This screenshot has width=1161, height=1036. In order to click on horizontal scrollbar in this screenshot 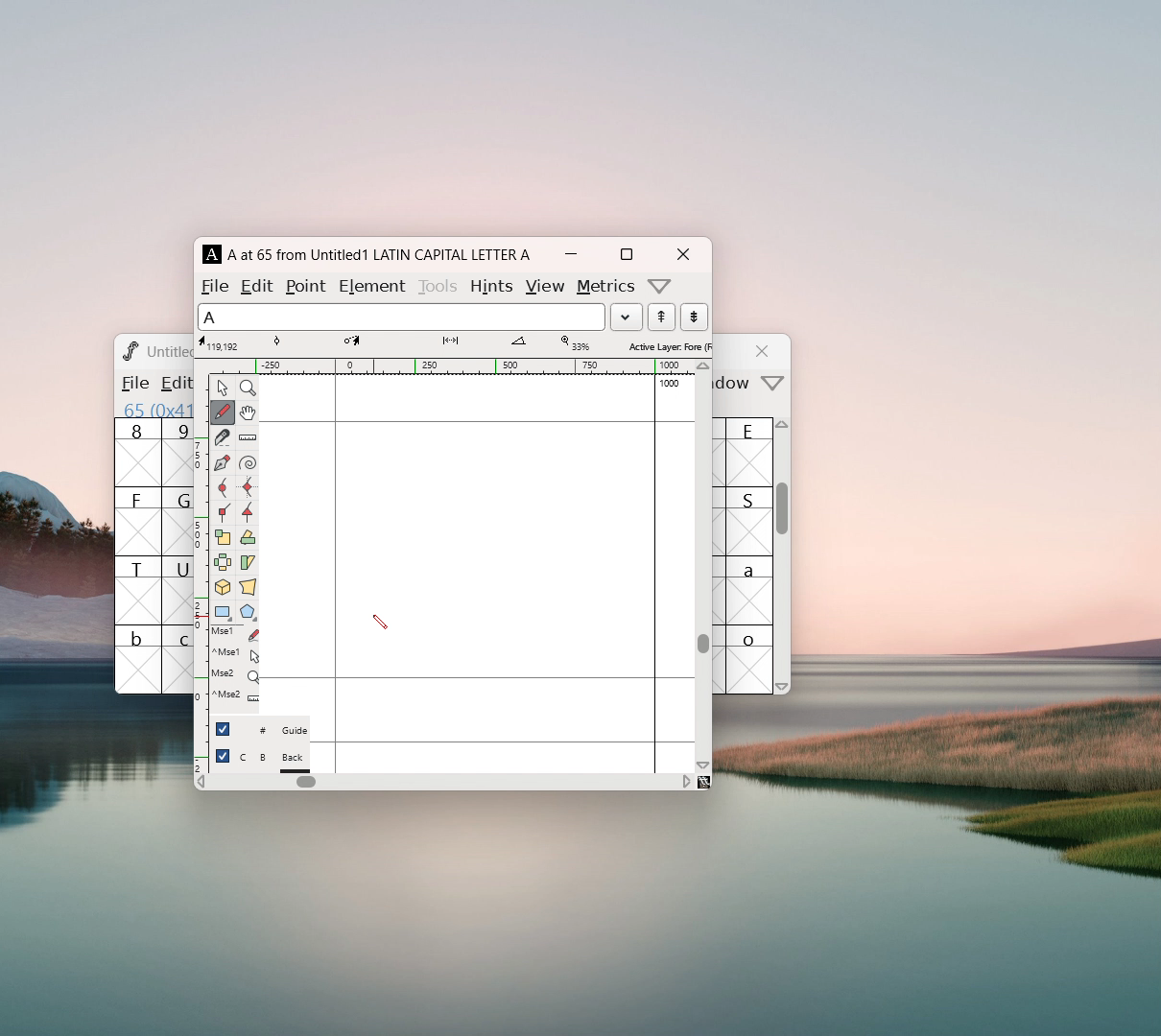, I will do `click(306, 782)`.